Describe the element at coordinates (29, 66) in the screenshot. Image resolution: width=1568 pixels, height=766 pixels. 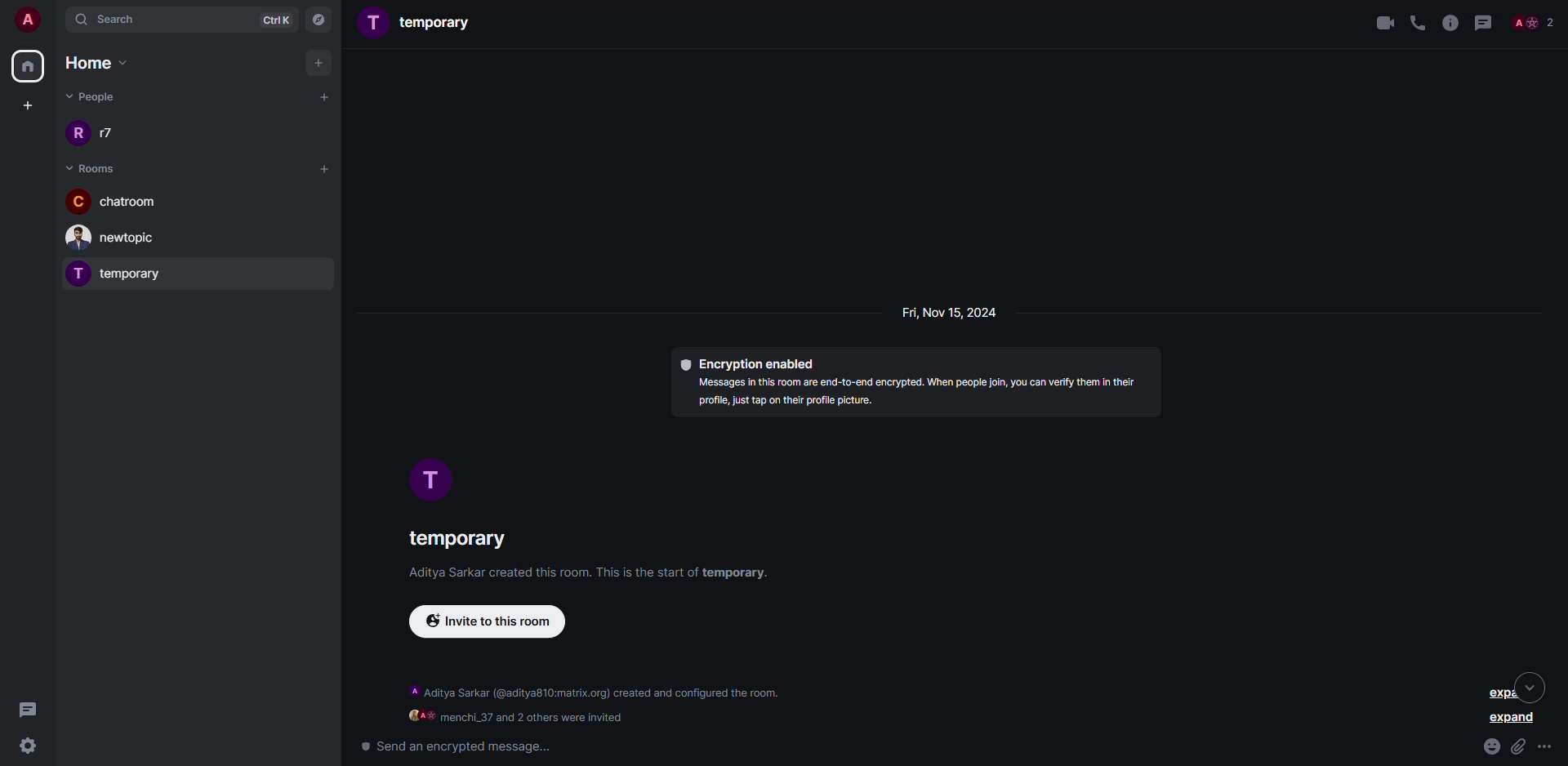
I see `home` at that location.